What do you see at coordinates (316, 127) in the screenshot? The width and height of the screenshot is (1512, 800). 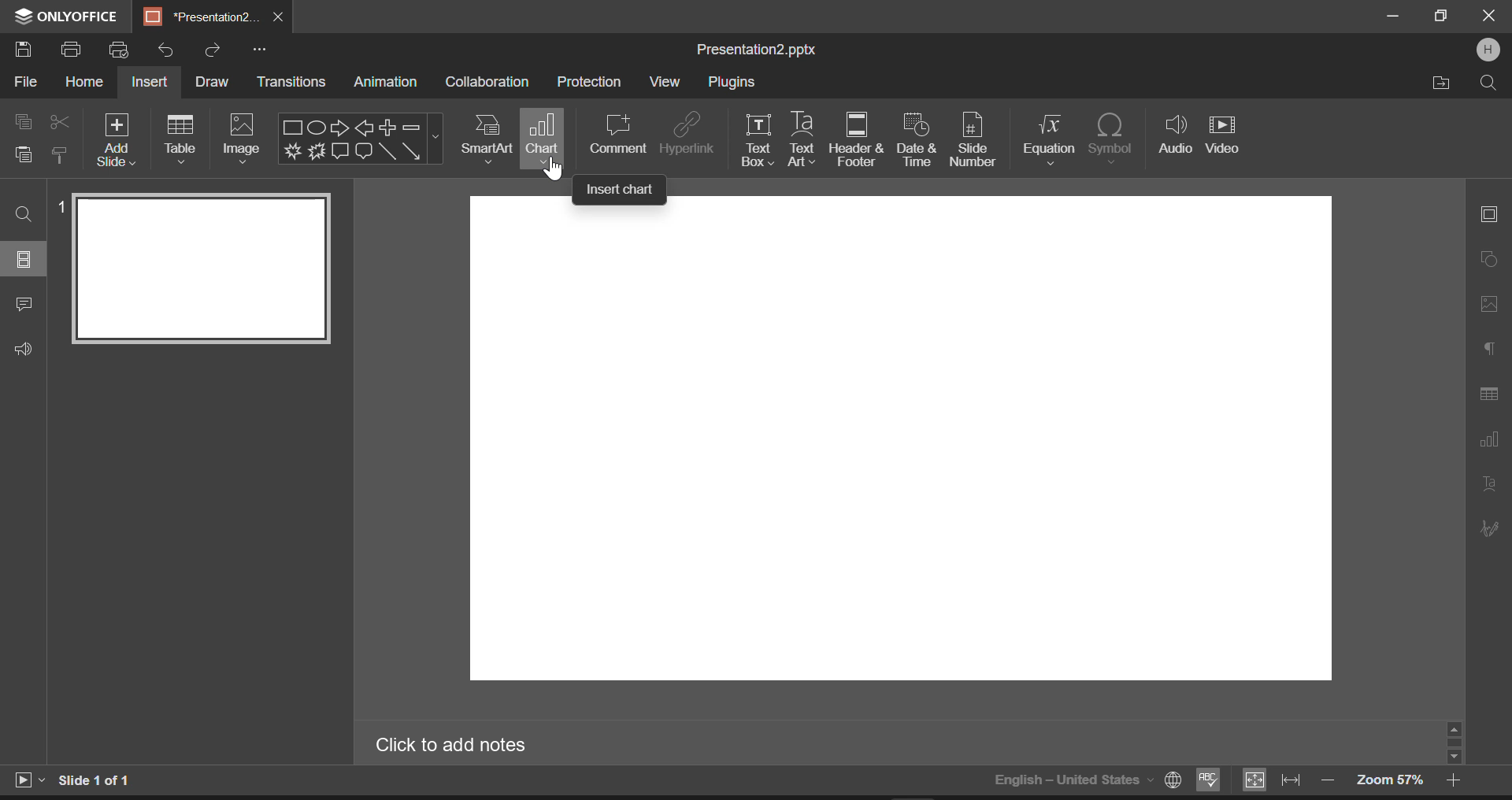 I see `Ellipse` at bounding box center [316, 127].